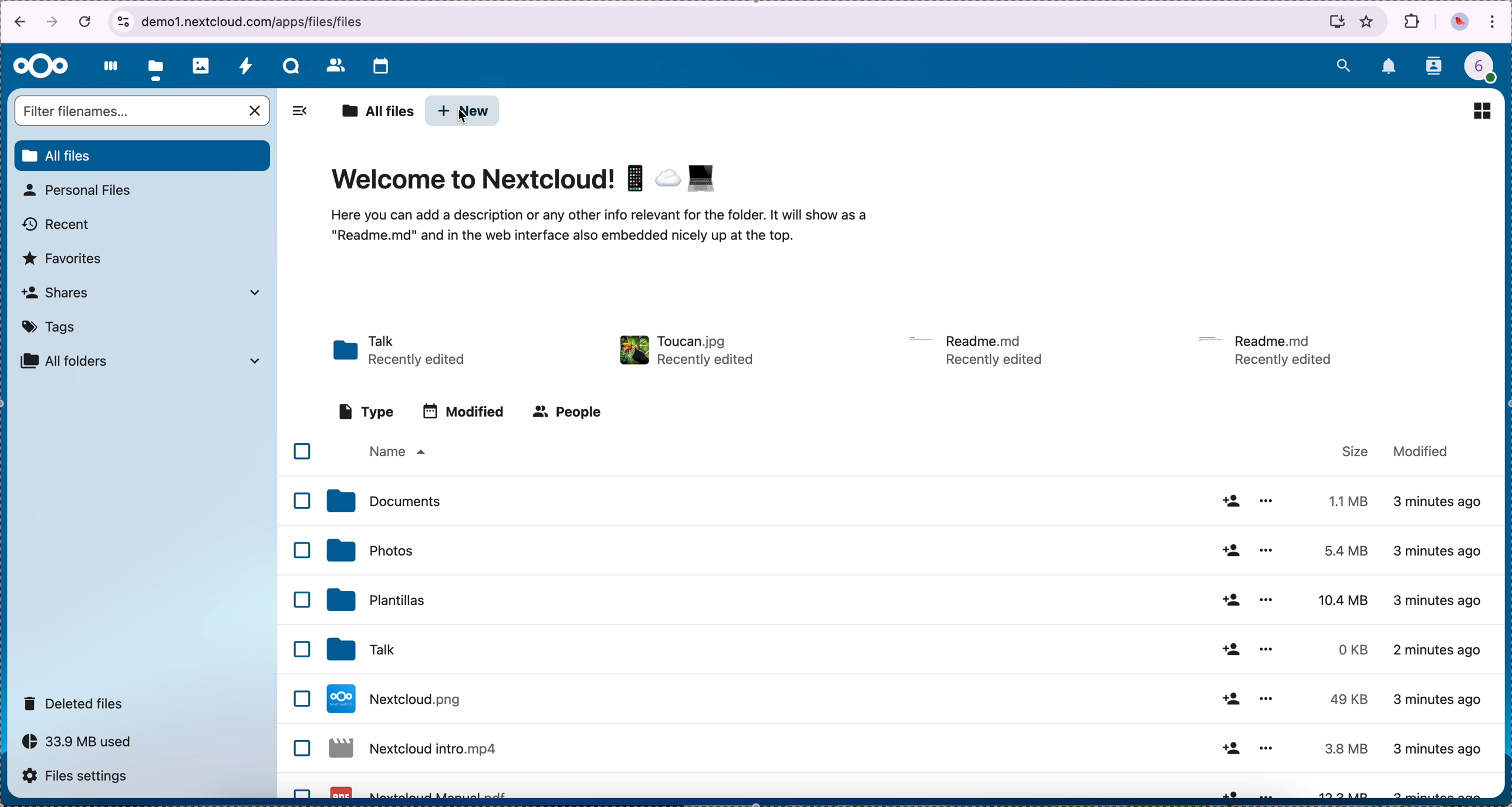  Describe the element at coordinates (597, 229) in the screenshot. I see `welcome text` at that location.